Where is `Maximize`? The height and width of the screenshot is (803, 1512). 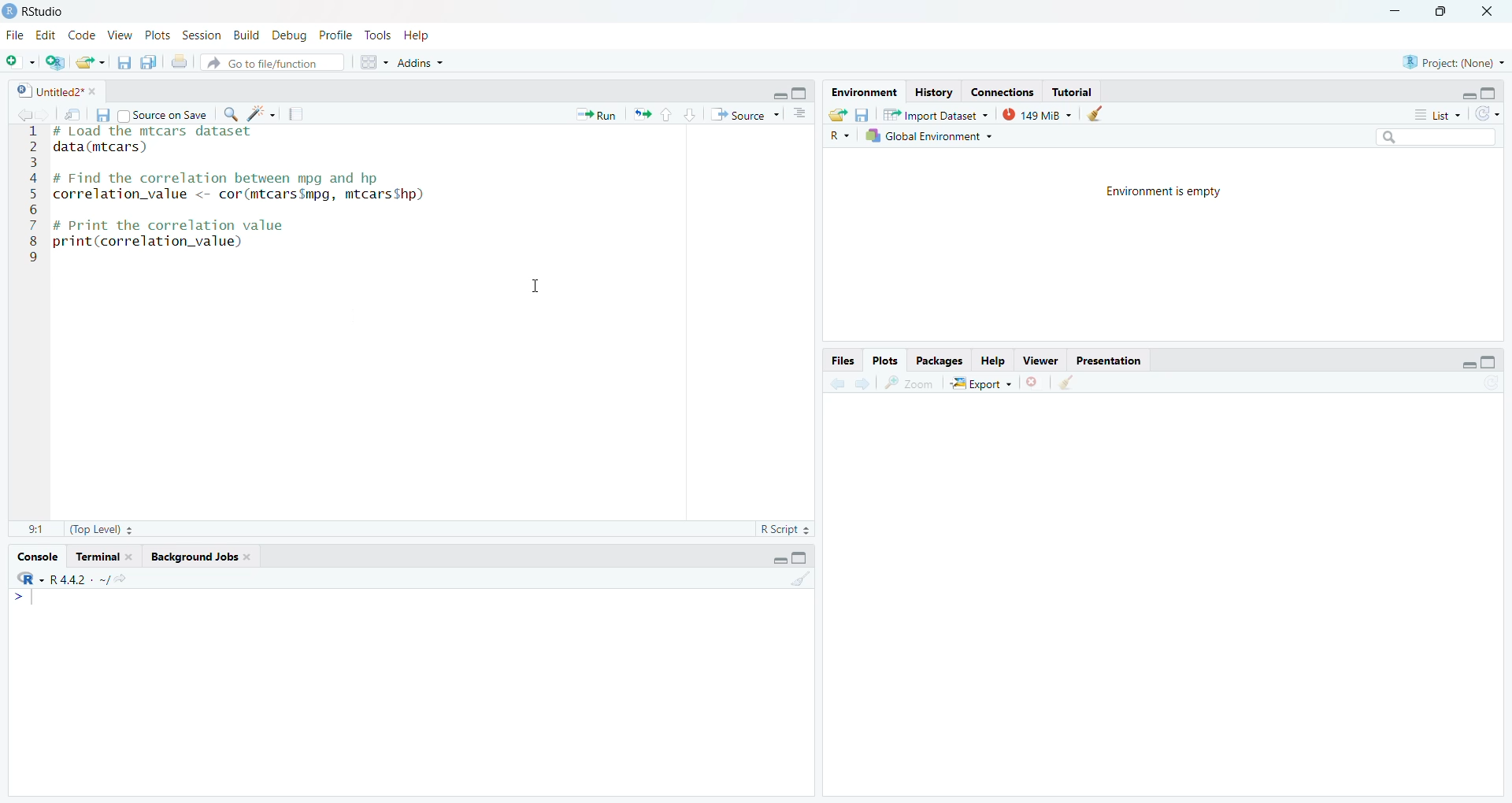 Maximize is located at coordinates (803, 557).